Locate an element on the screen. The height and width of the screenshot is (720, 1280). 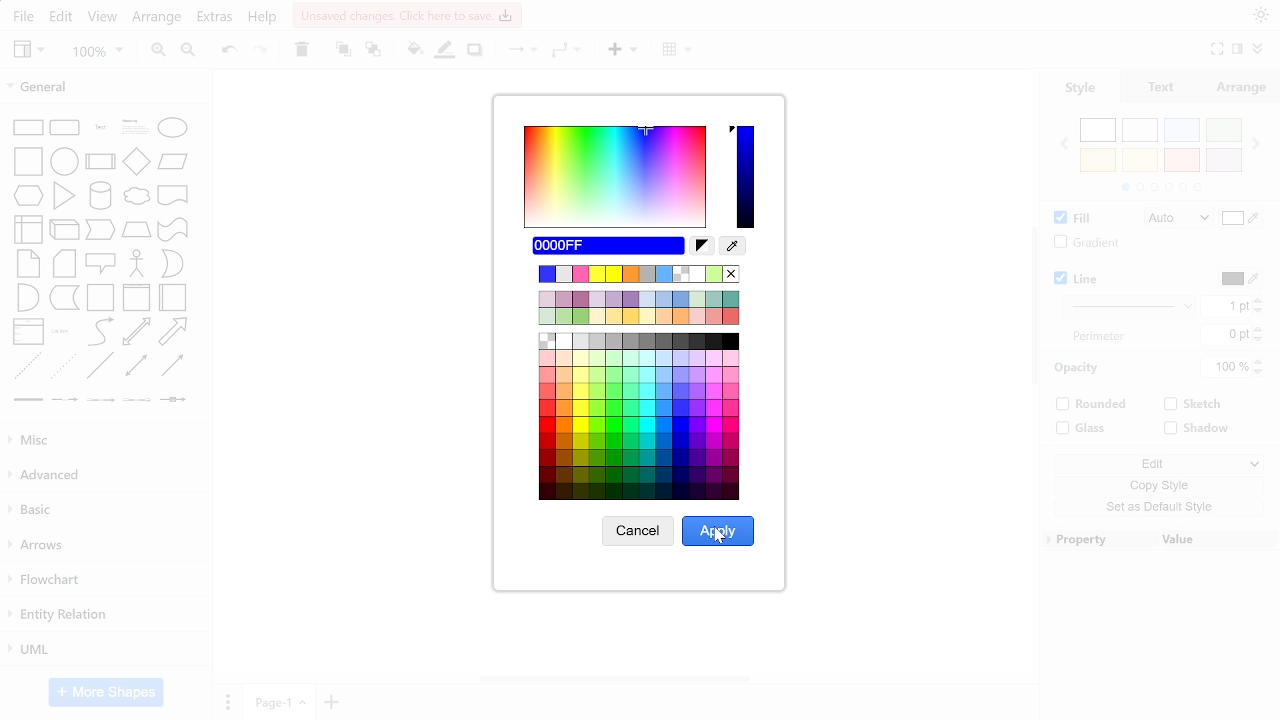
misc is located at coordinates (102, 439).